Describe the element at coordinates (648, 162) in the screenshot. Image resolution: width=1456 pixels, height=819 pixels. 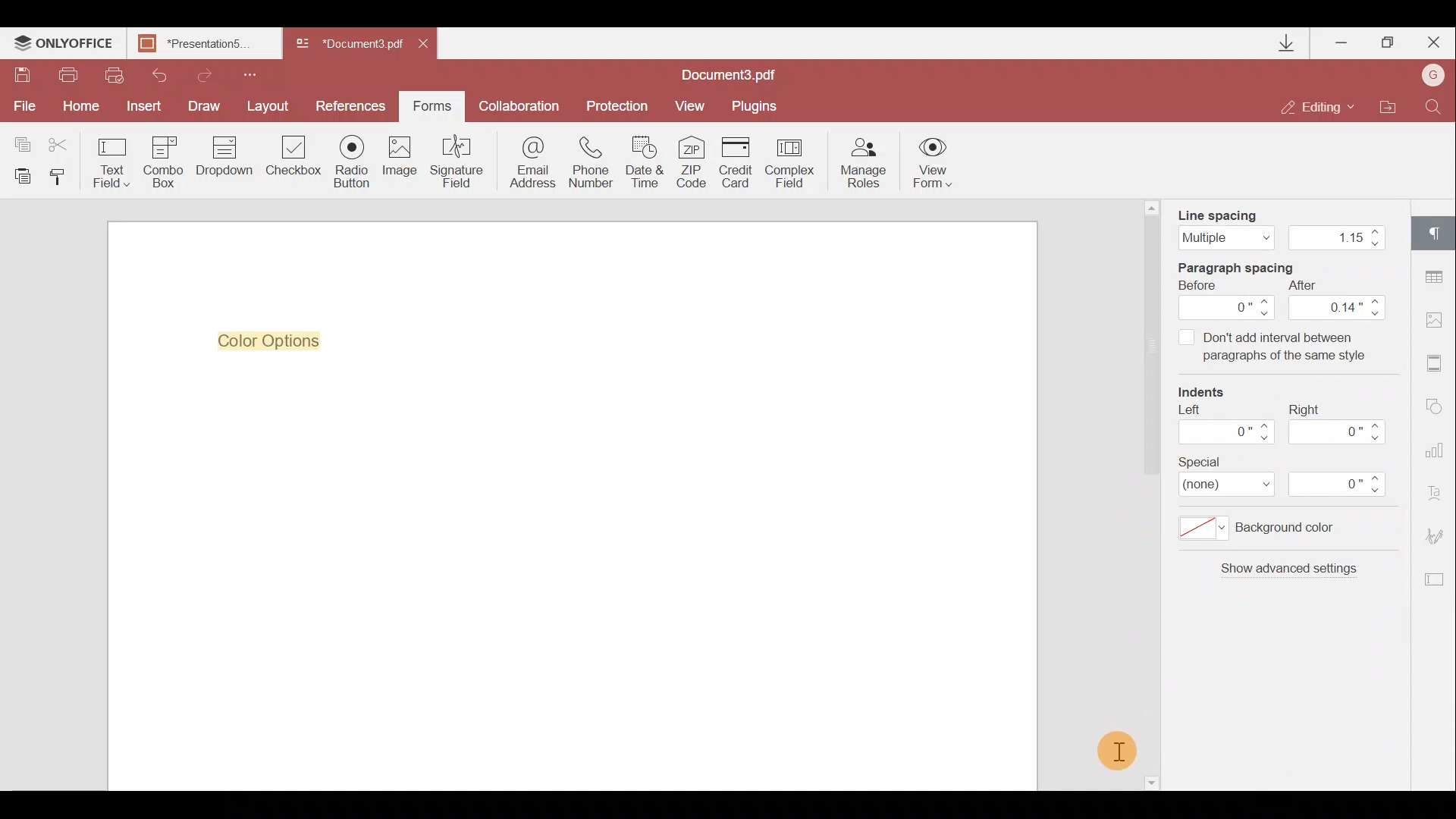
I see `Date & time` at that location.